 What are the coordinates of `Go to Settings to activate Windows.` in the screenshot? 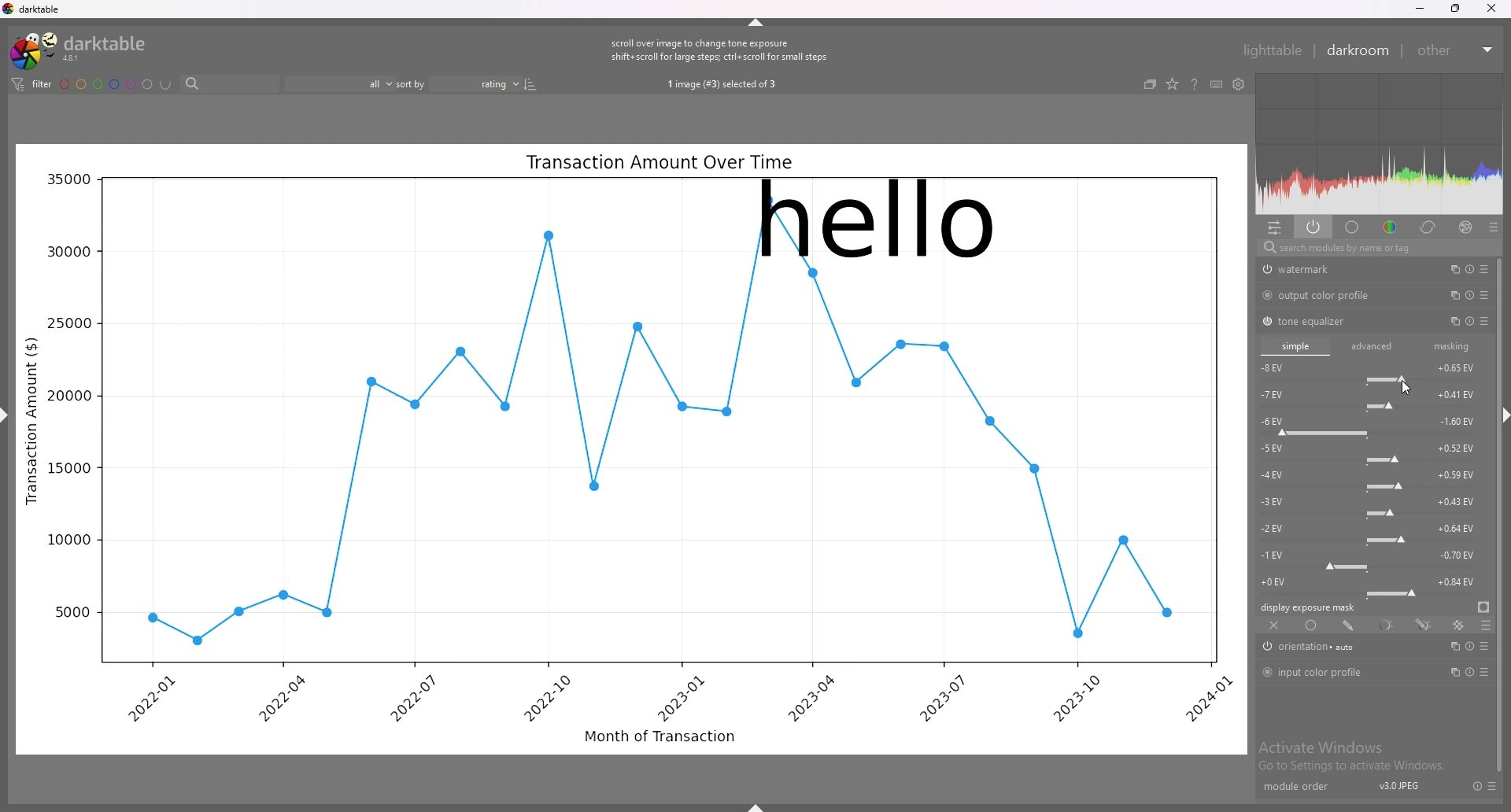 It's located at (1353, 767).